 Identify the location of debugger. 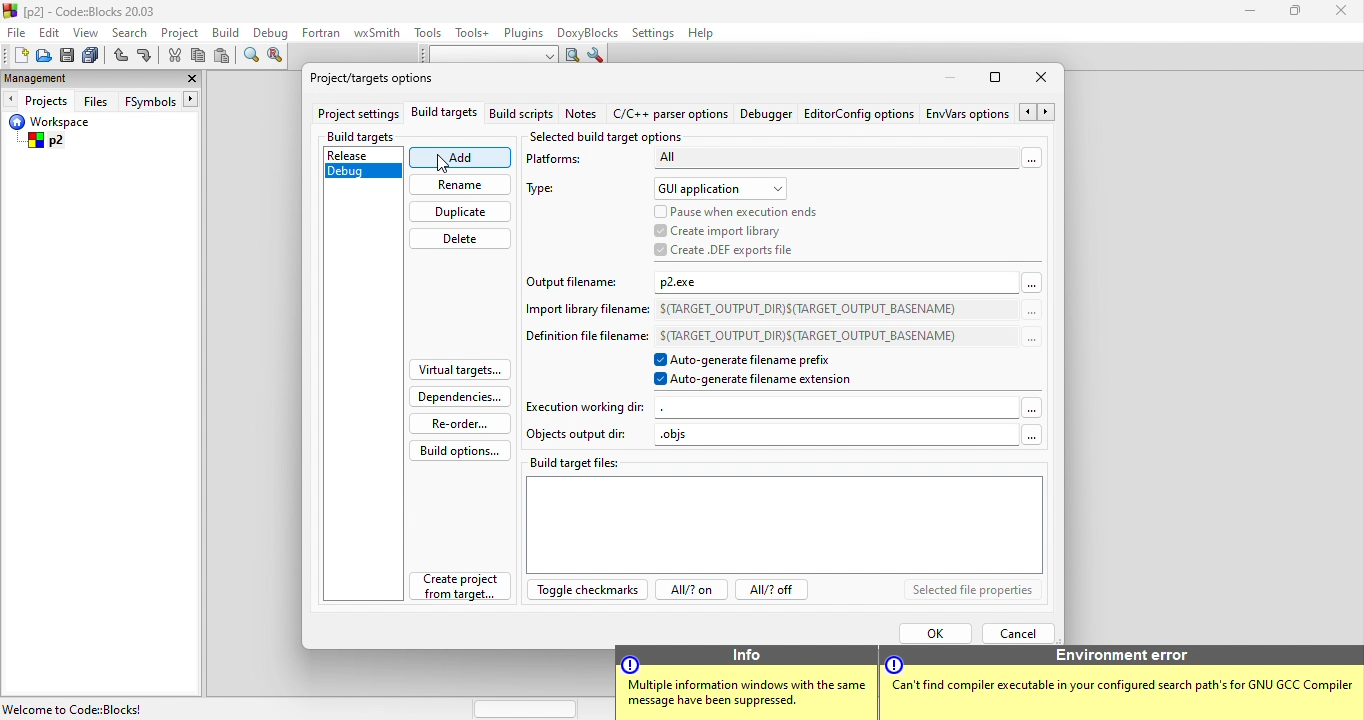
(768, 113).